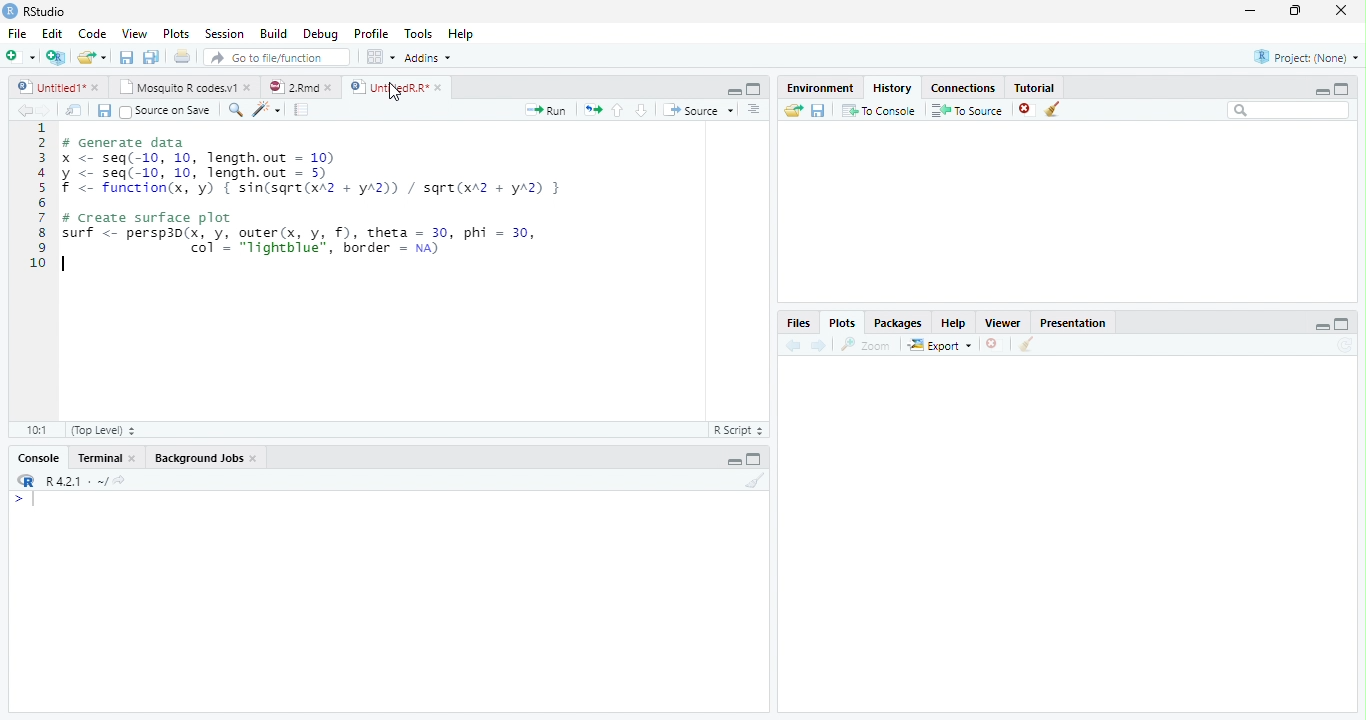  Describe the element at coordinates (1322, 327) in the screenshot. I see `minimize` at that location.